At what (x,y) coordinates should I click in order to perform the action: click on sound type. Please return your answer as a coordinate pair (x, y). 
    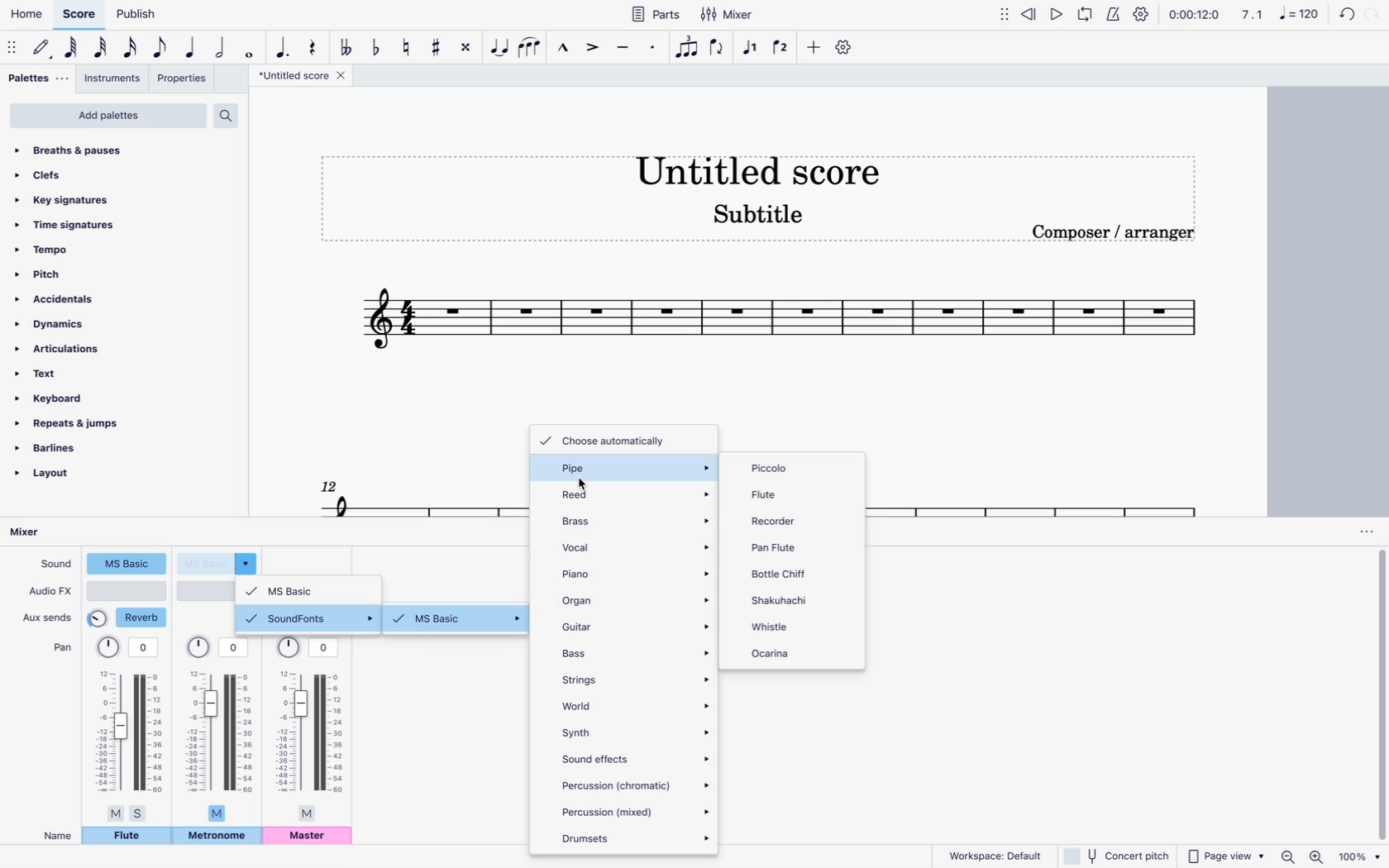
    Looking at the image, I should click on (126, 565).